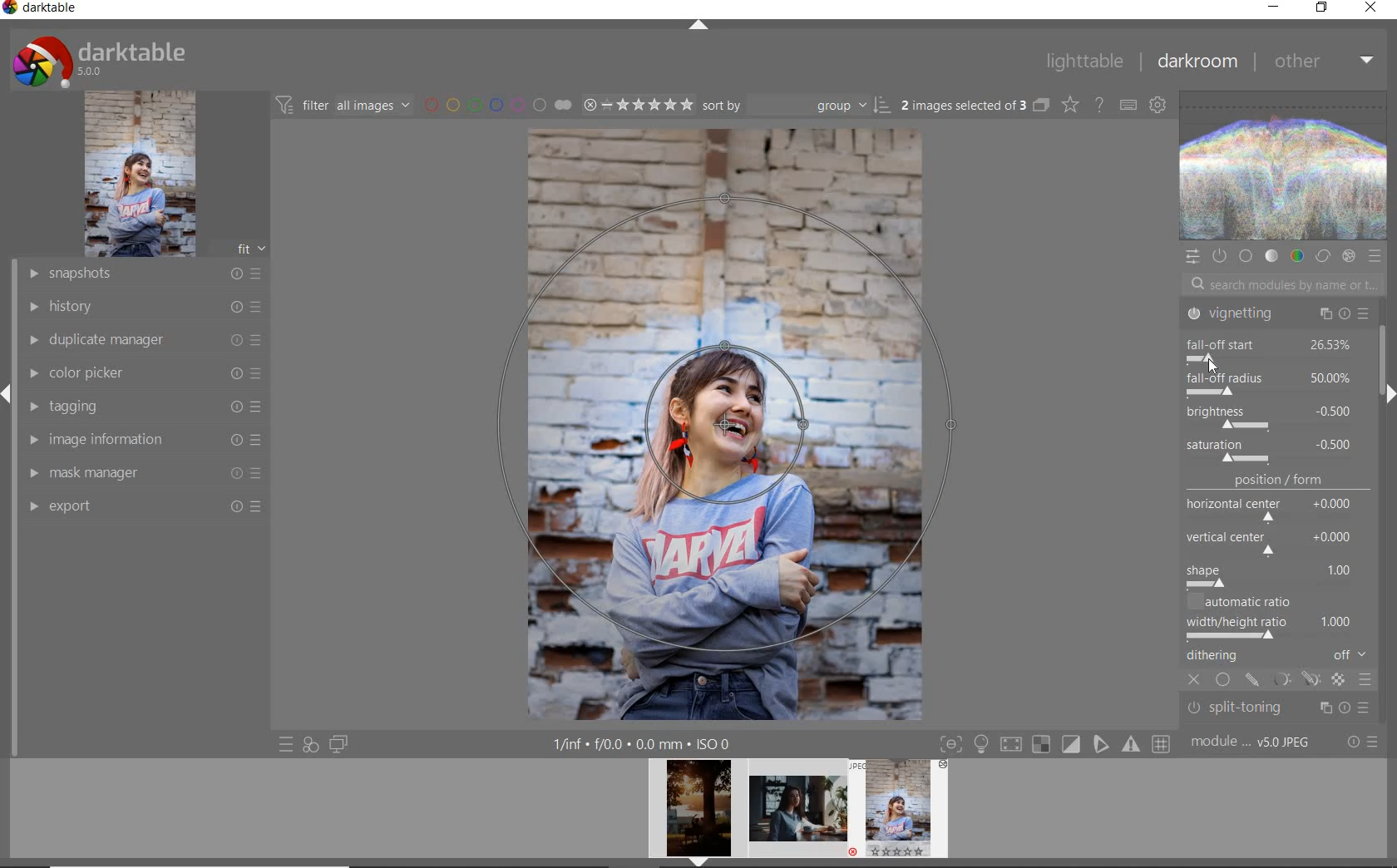 This screenshot has height=868, width=1397. Describe the element at coordinates (1224, 681) in the screenshot. I see `uniformly` at that location.